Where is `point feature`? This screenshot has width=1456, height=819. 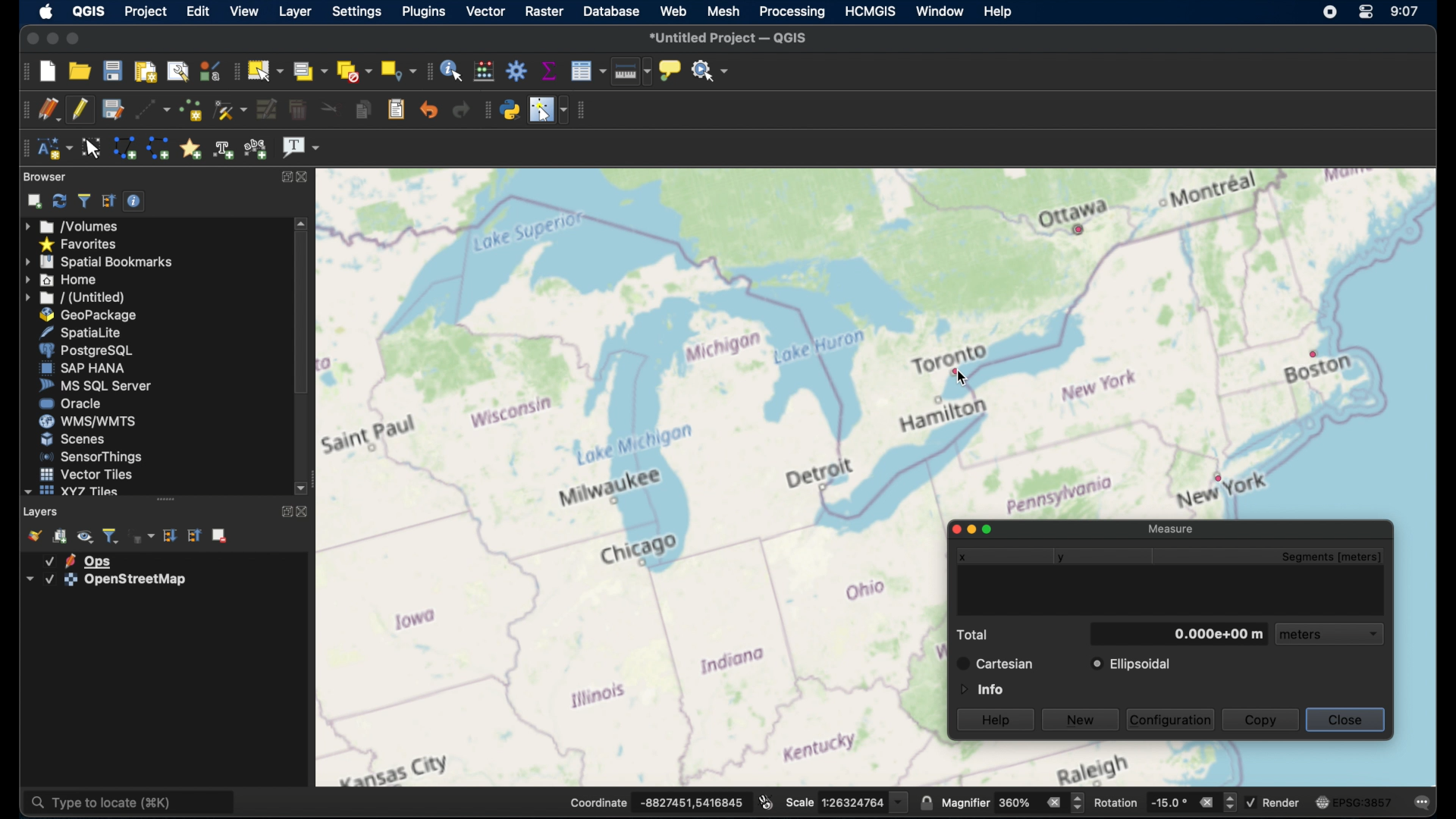
point feature is located at coordinates (1313, 353).